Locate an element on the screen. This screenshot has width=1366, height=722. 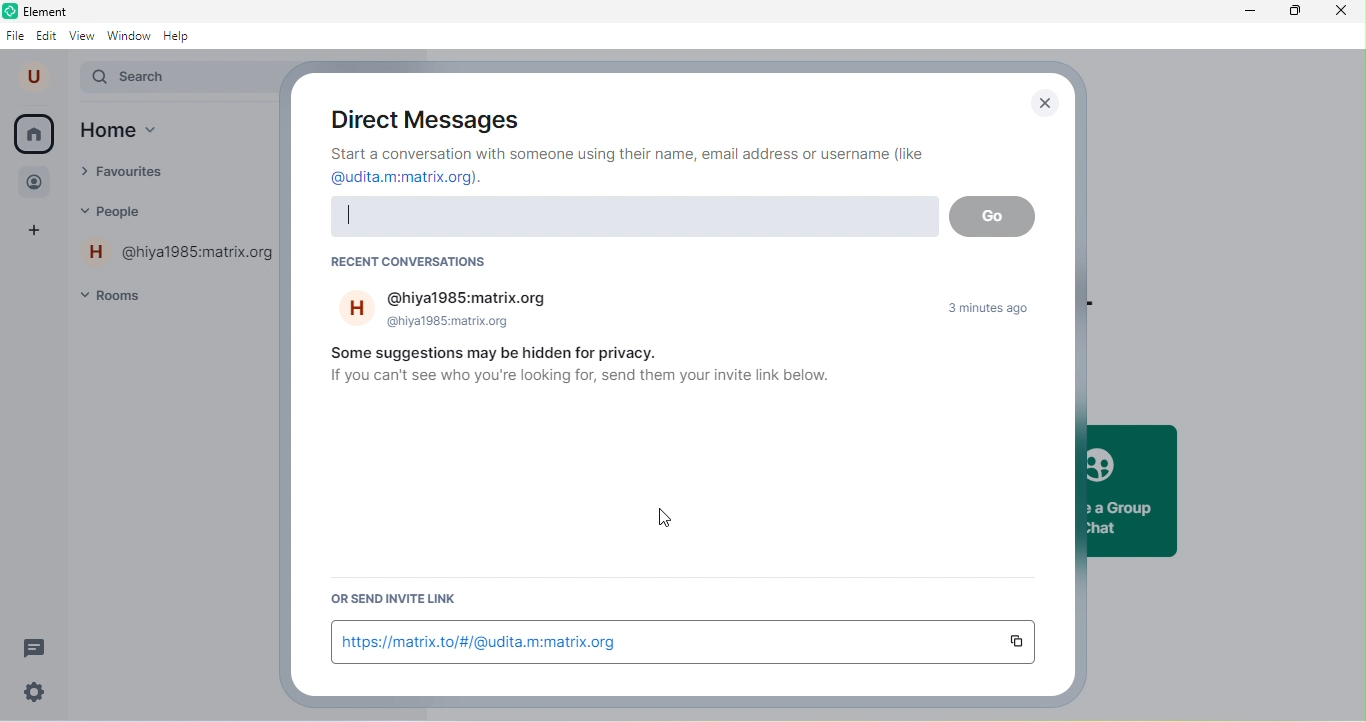
edit is located at coordinates (48, 37).